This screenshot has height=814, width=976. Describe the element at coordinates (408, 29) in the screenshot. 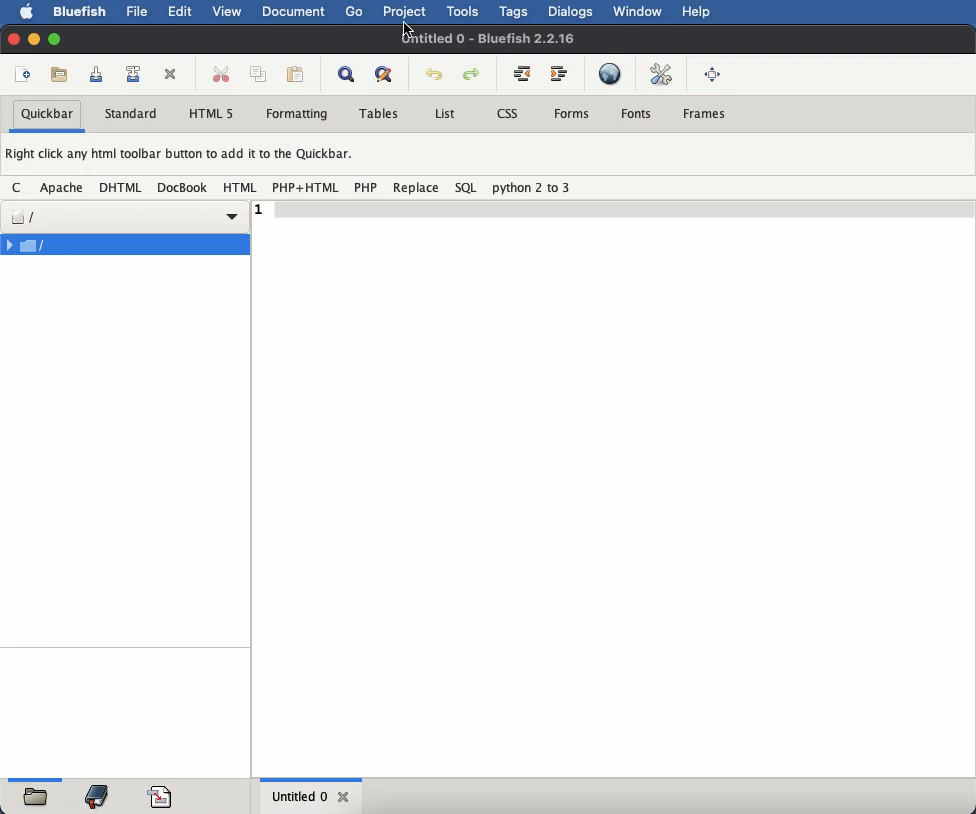

I see `cursor` at that location.